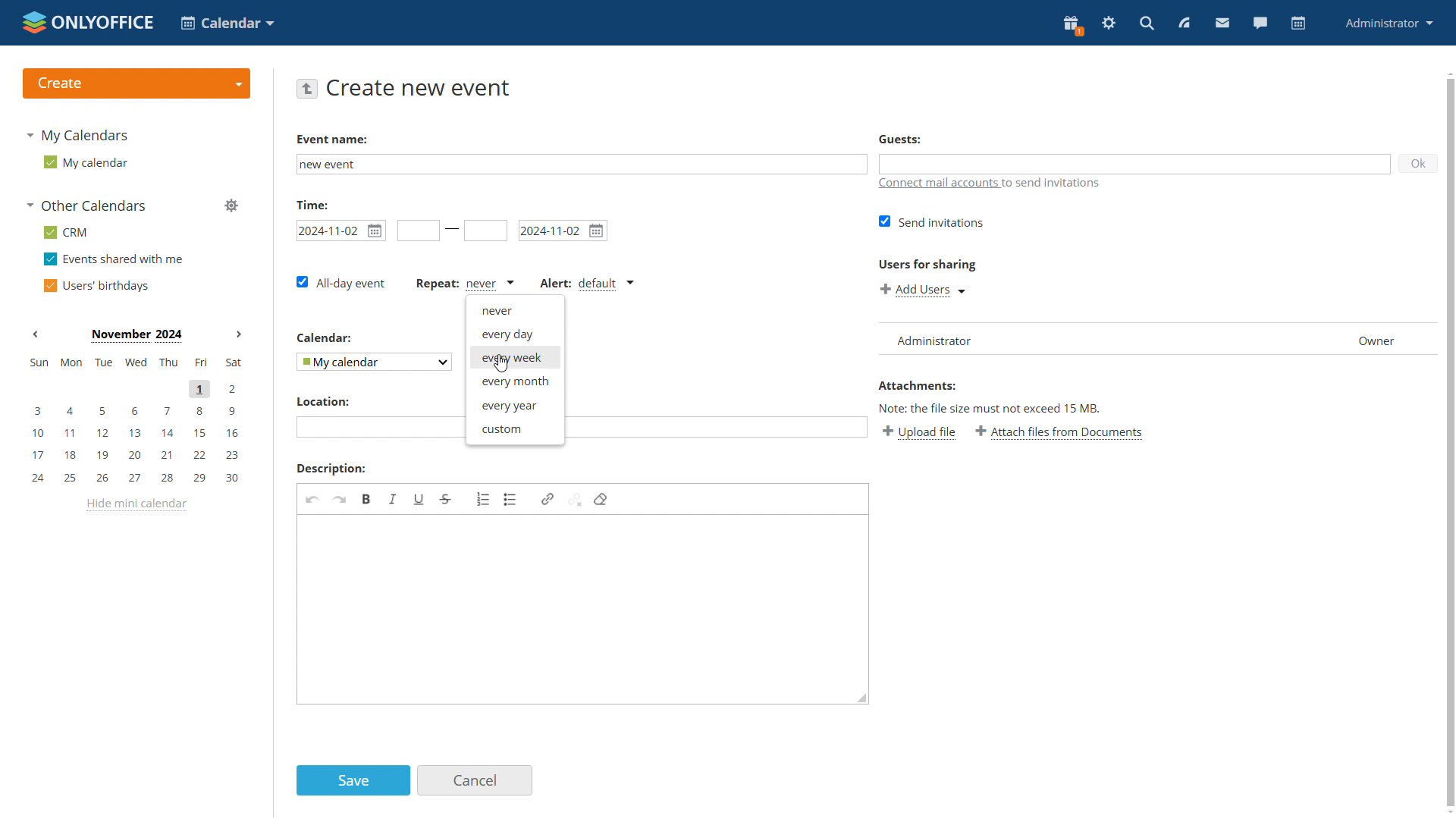  Describe the element at coordinates (96, 284) in the screenshot. I see `users' birthdays` at that location.